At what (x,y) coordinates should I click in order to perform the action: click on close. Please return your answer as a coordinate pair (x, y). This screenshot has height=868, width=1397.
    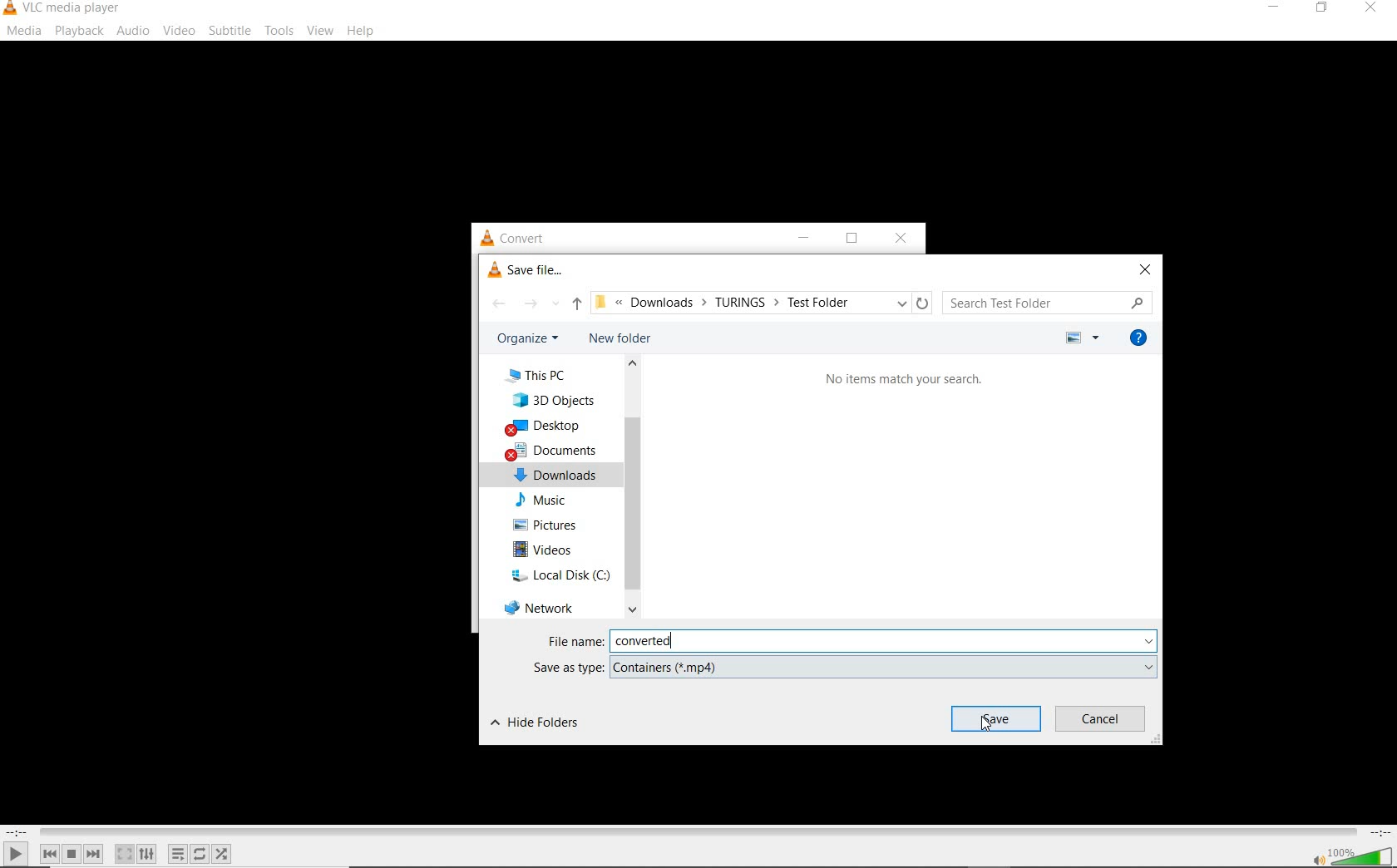
    Looking at the image, I should click on (1146, 269).